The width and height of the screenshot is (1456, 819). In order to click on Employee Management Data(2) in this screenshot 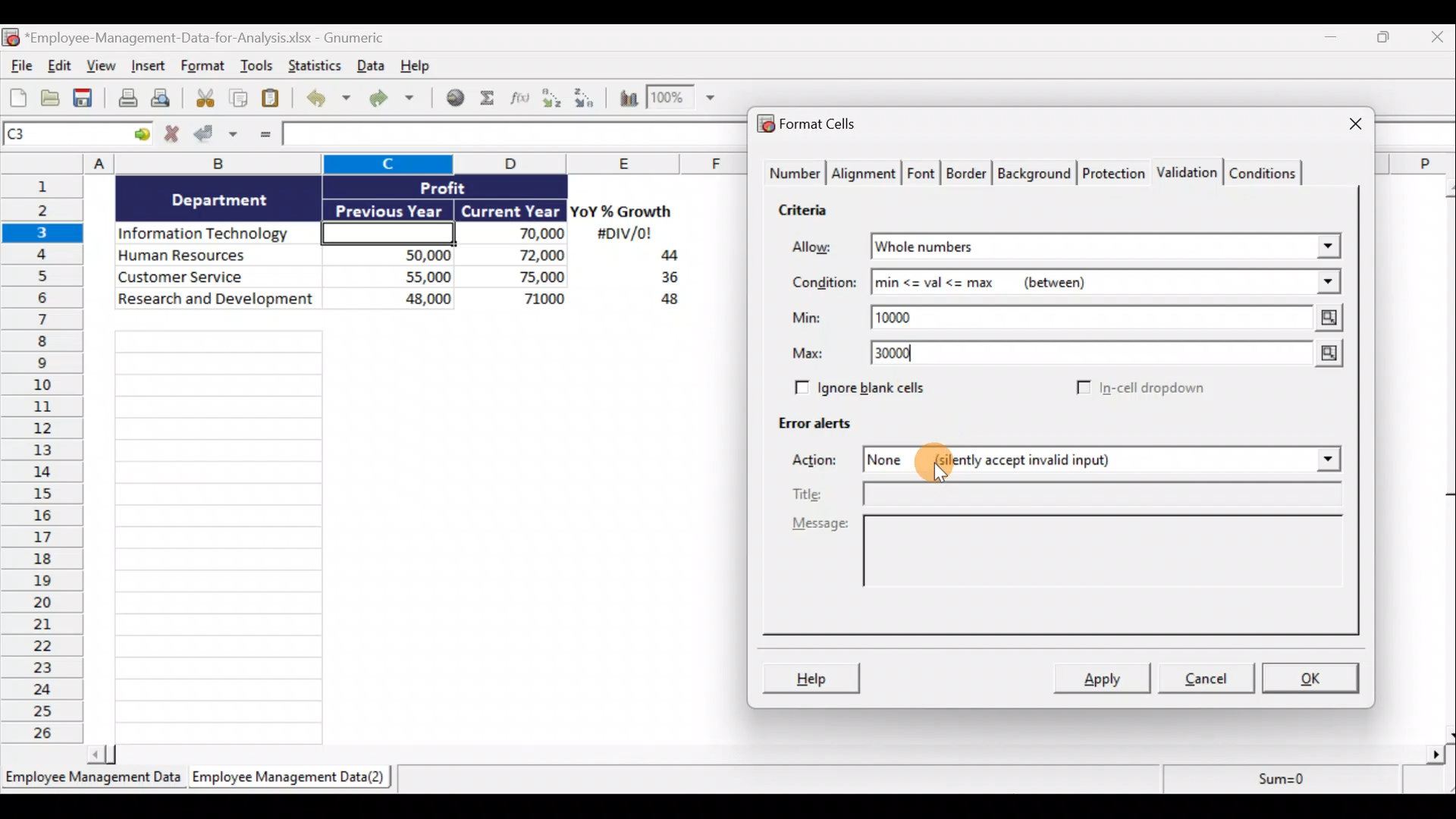, I will do `click(286, 780)`.